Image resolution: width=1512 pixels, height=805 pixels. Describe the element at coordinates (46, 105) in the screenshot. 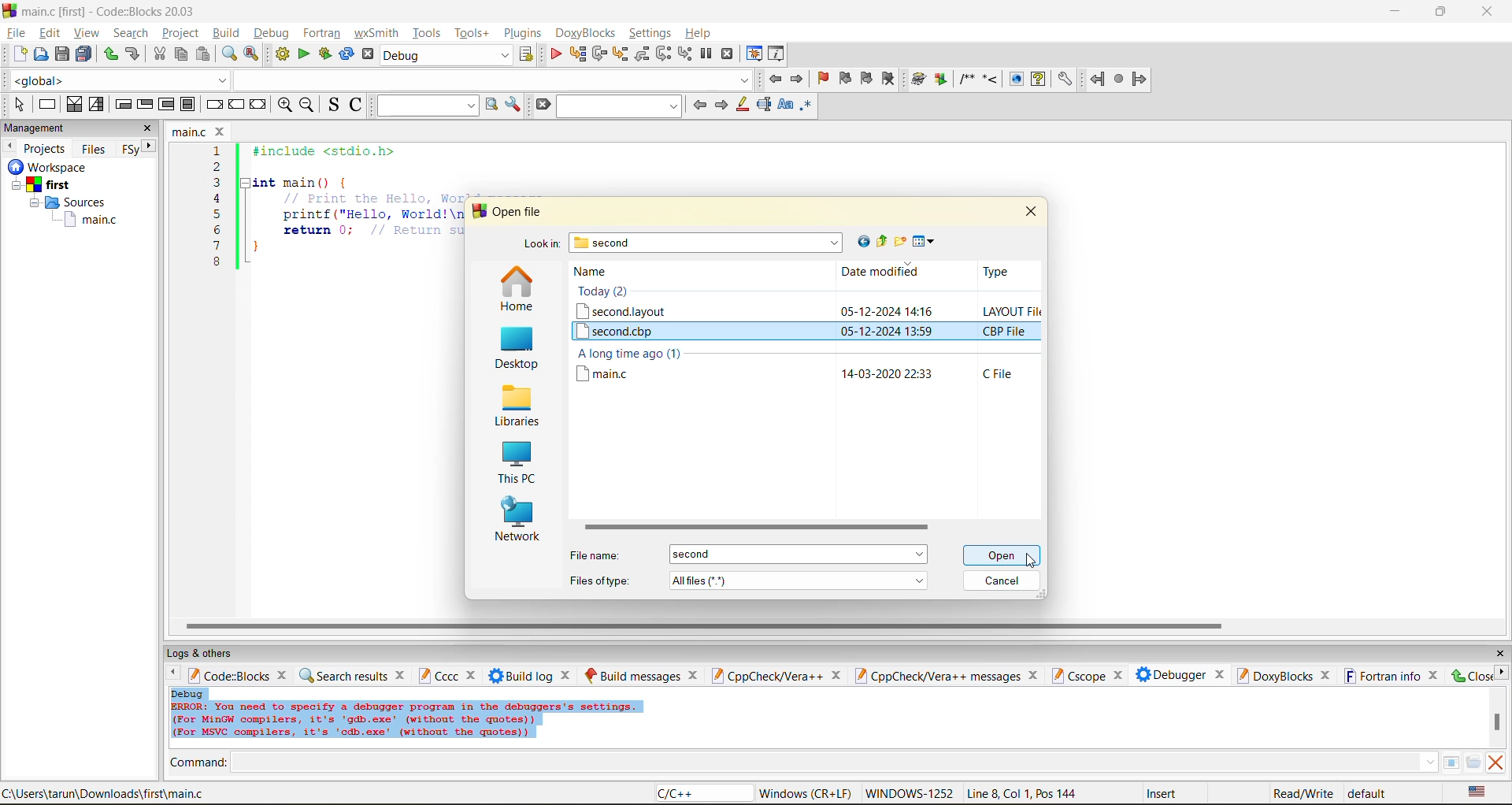

I see `instruction` at that location.